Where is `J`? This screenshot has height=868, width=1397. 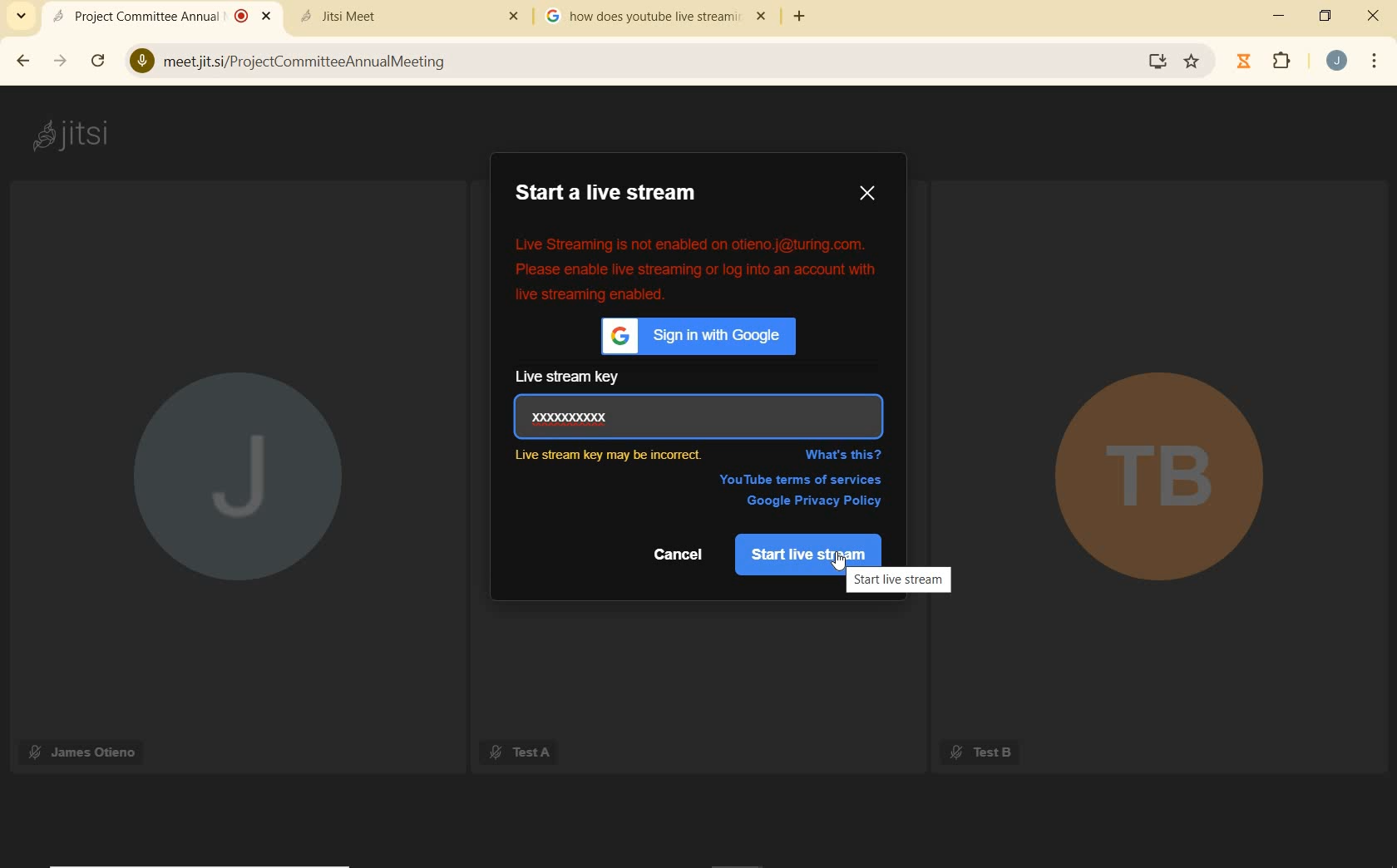 J is located at coordinates (246, 479).